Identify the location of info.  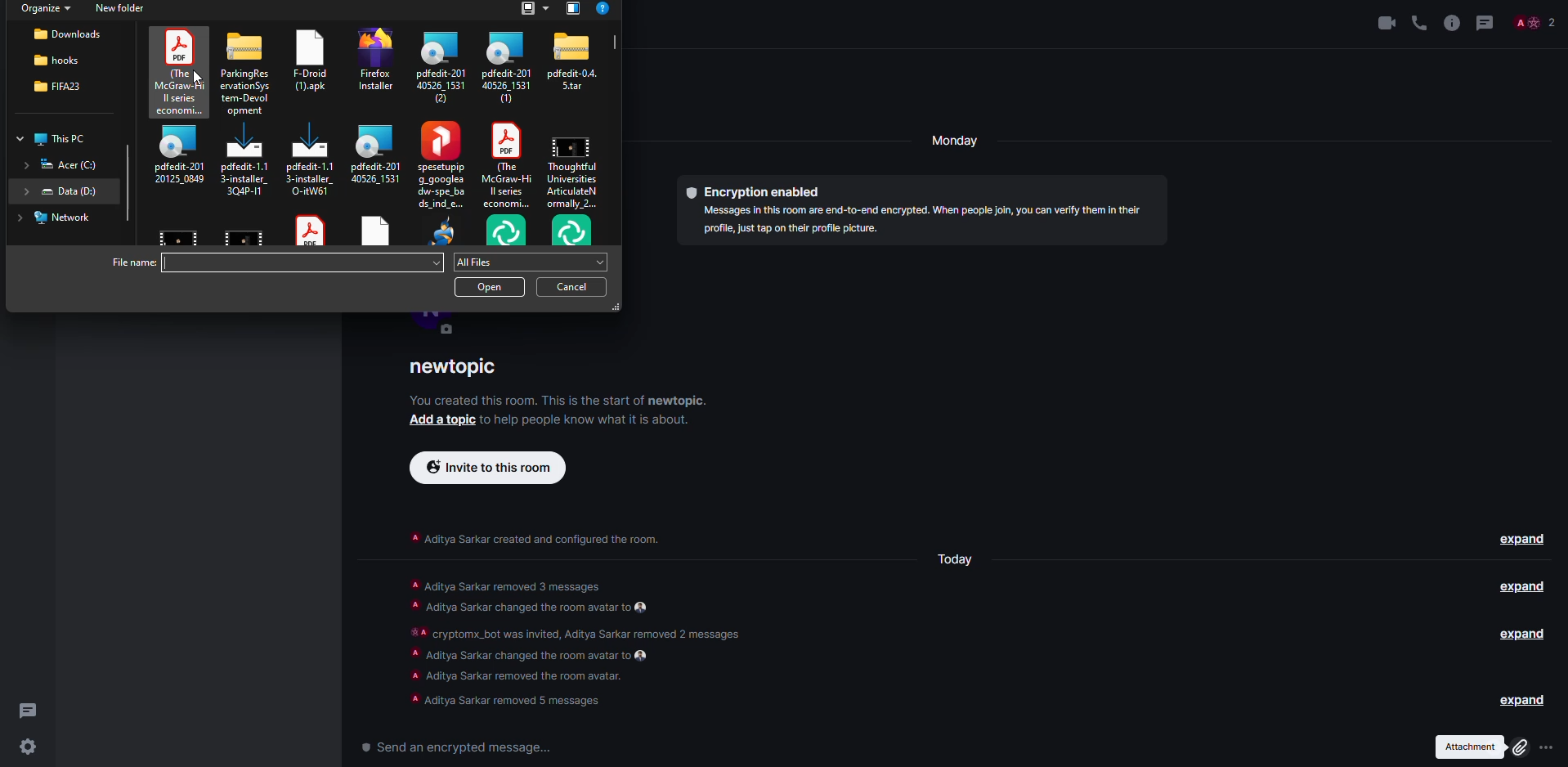
(917, 221).